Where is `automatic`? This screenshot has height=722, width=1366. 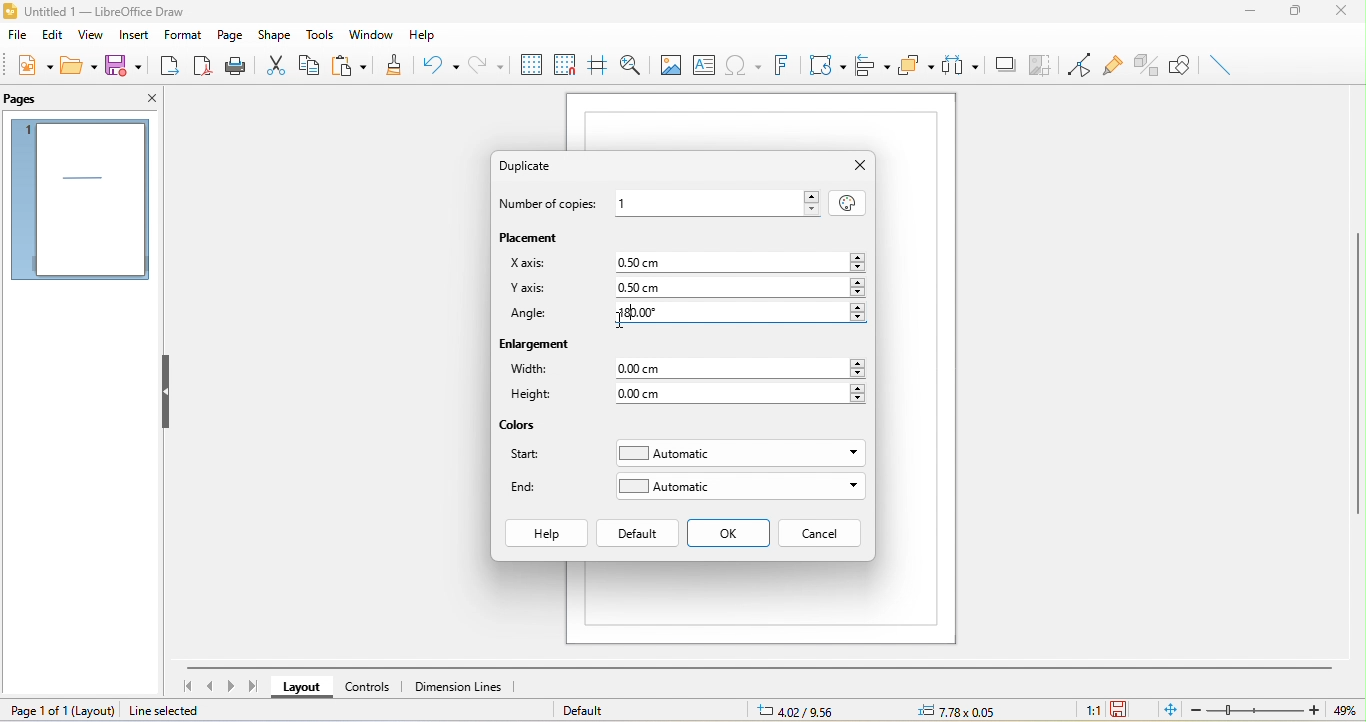 automatic is located at coordinates (740, 486).